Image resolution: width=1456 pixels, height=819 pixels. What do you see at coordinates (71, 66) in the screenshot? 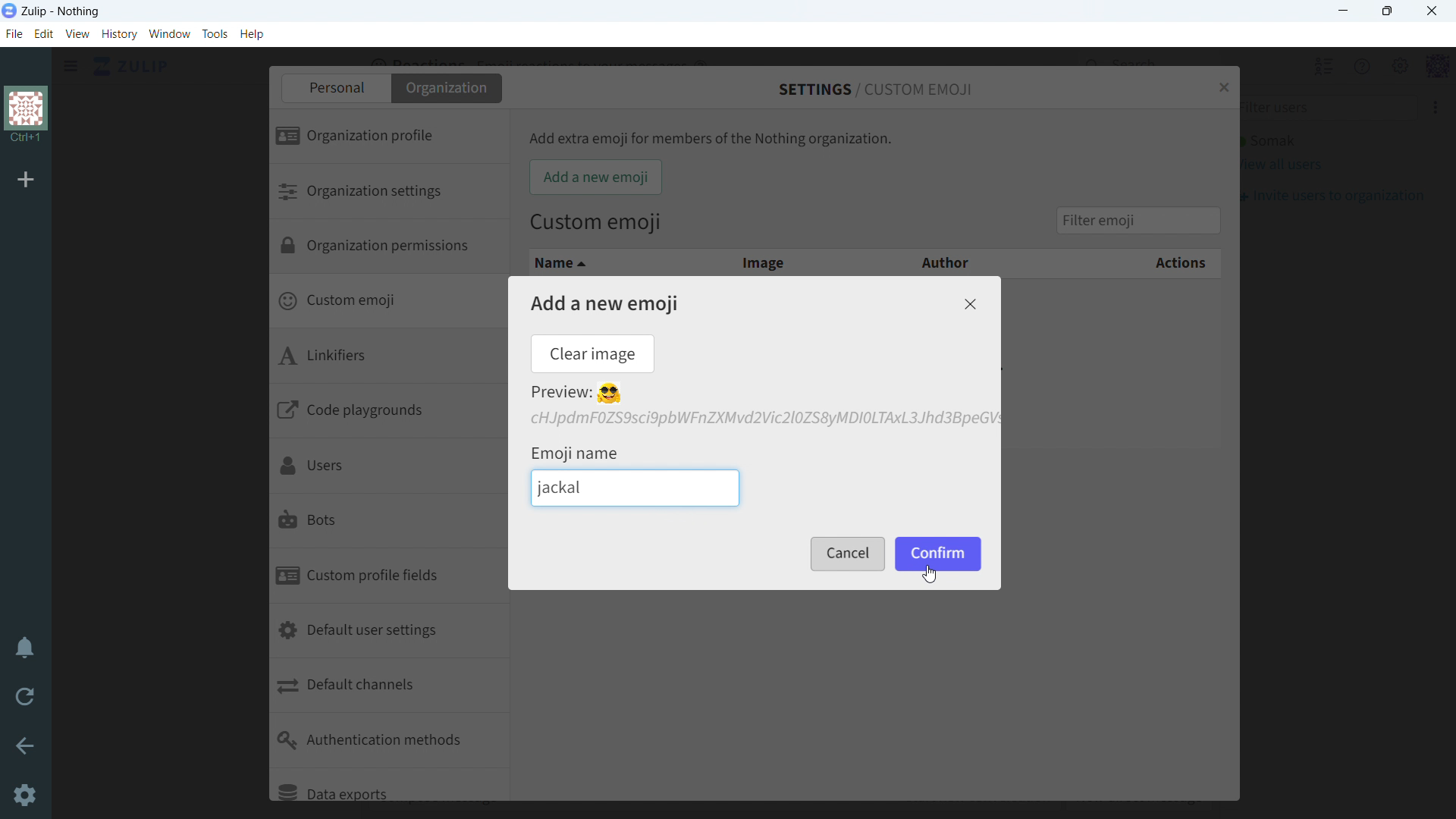
I see `open sidebar menu` at bounding box center [71, 66].